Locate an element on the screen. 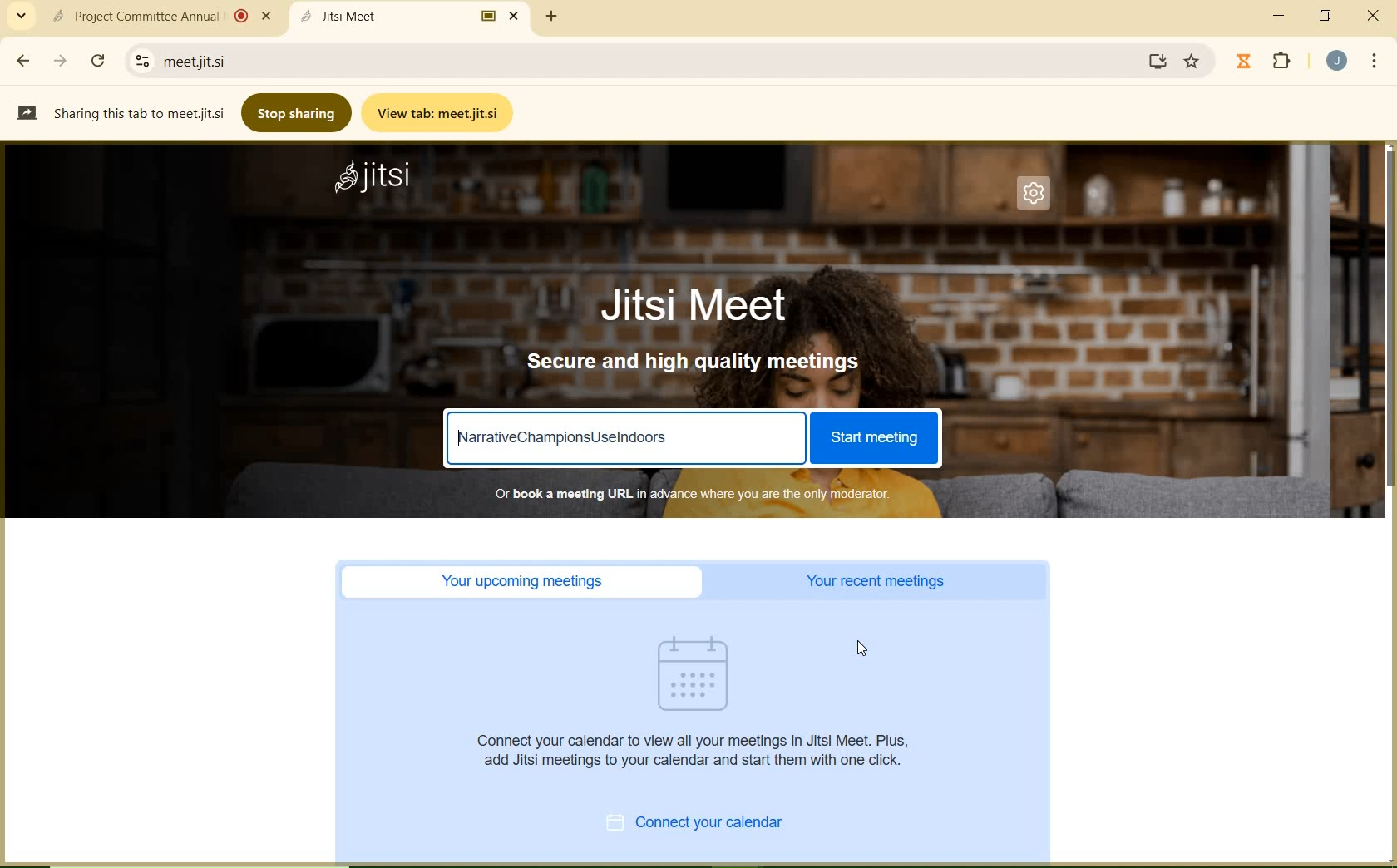  start meeting is located at coordinates (877, 438).